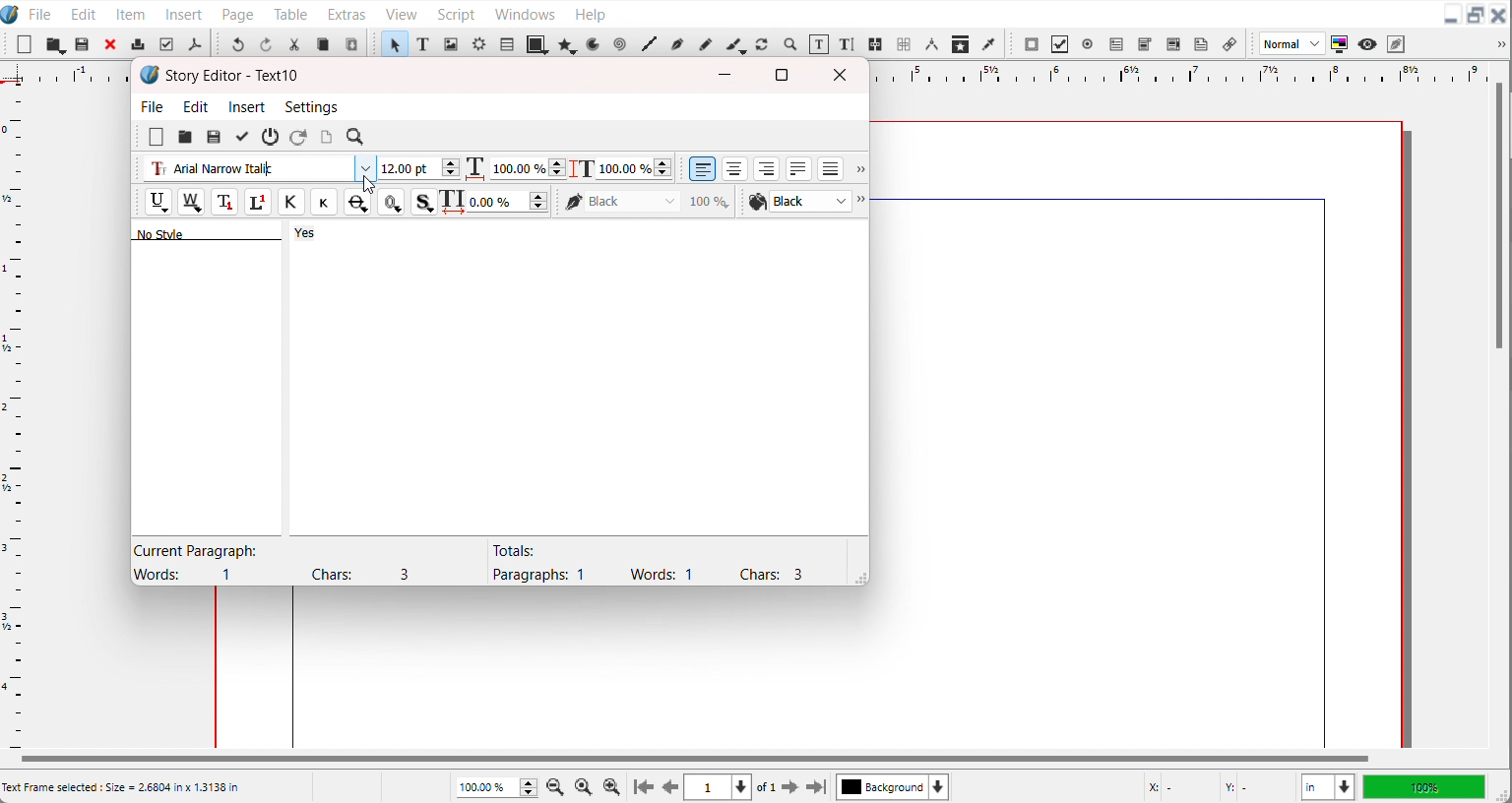 Image resolution: width=1512 pixels, height=803 pixels. I want to click on Go to first page, so click(644, 786).